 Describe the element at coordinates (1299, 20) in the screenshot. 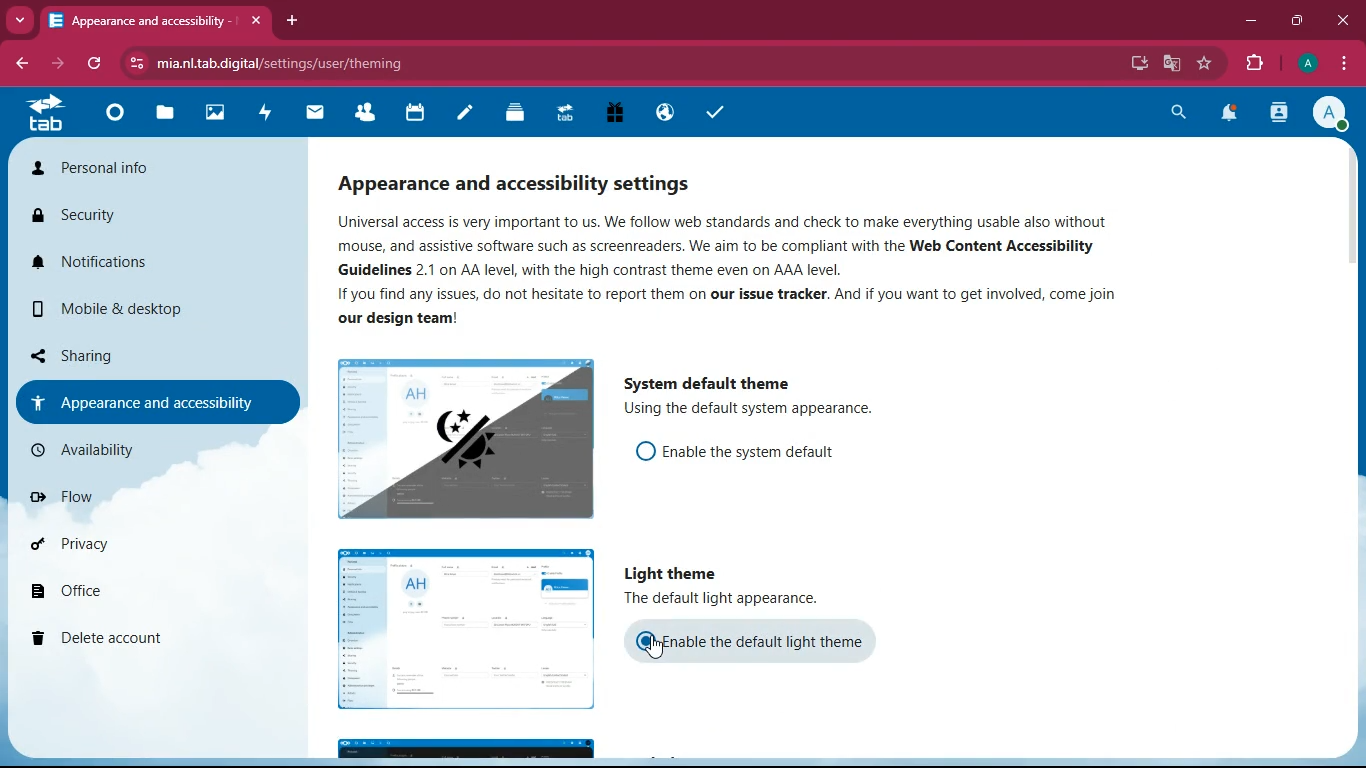

I see `maximize` at that location.